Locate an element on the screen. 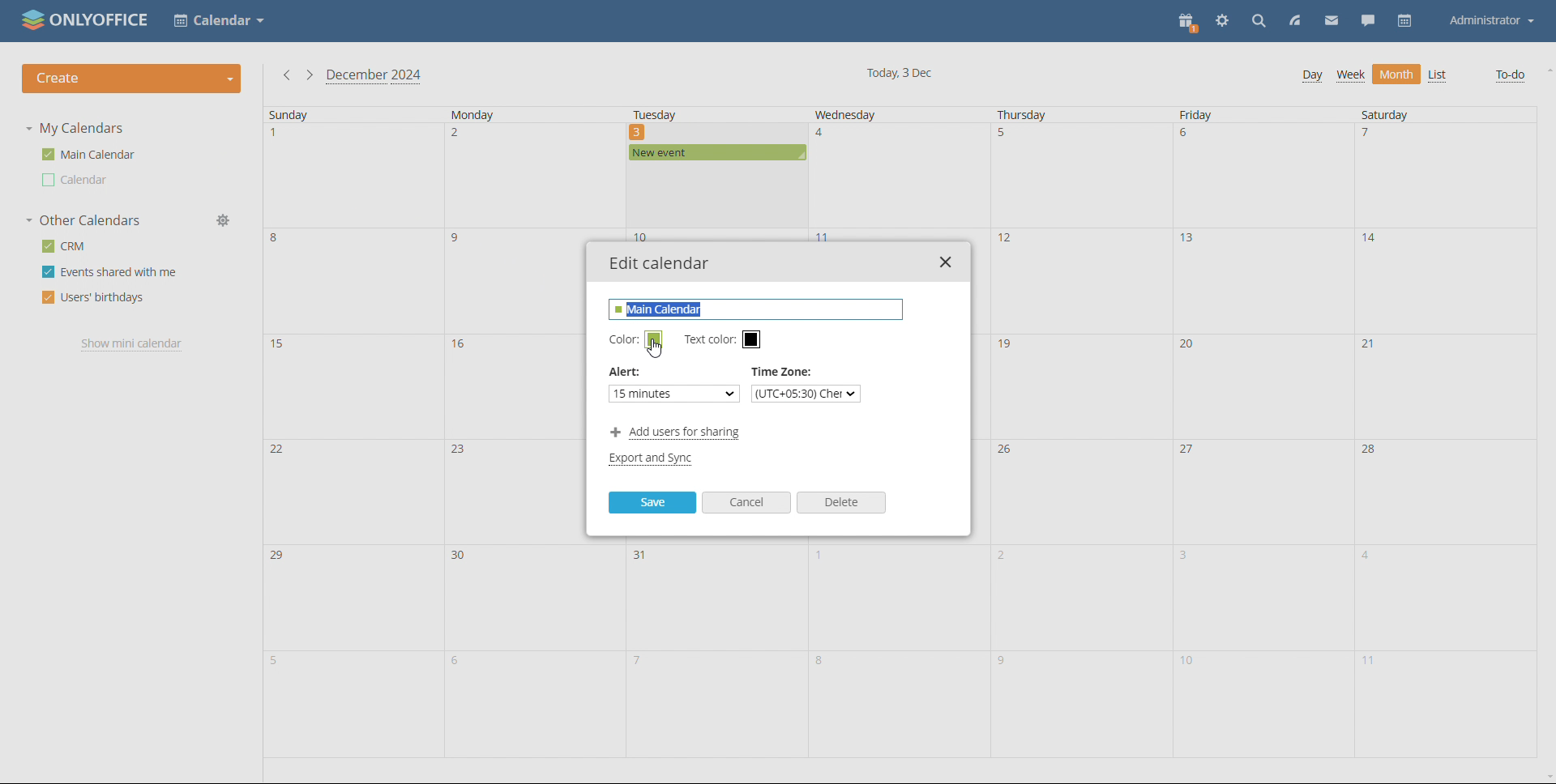 The image size is (1556, 784). date is located at coordinates (717, 598).